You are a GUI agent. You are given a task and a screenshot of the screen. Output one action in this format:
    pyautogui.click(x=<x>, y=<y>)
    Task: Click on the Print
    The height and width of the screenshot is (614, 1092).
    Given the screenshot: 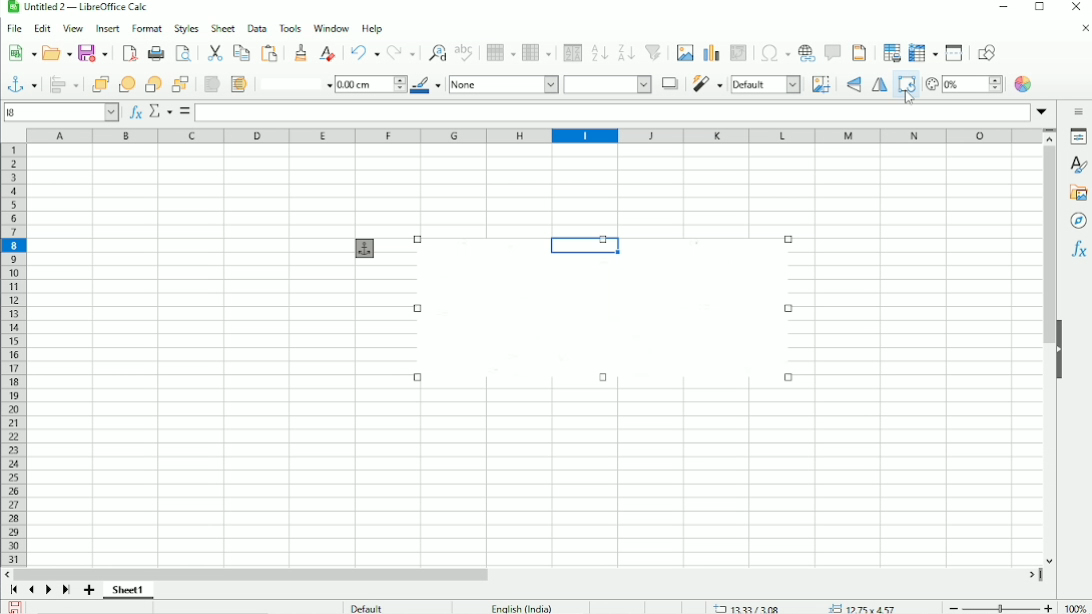 What is the action you would take?
    pyautogui.click(x=155, y=53)
    